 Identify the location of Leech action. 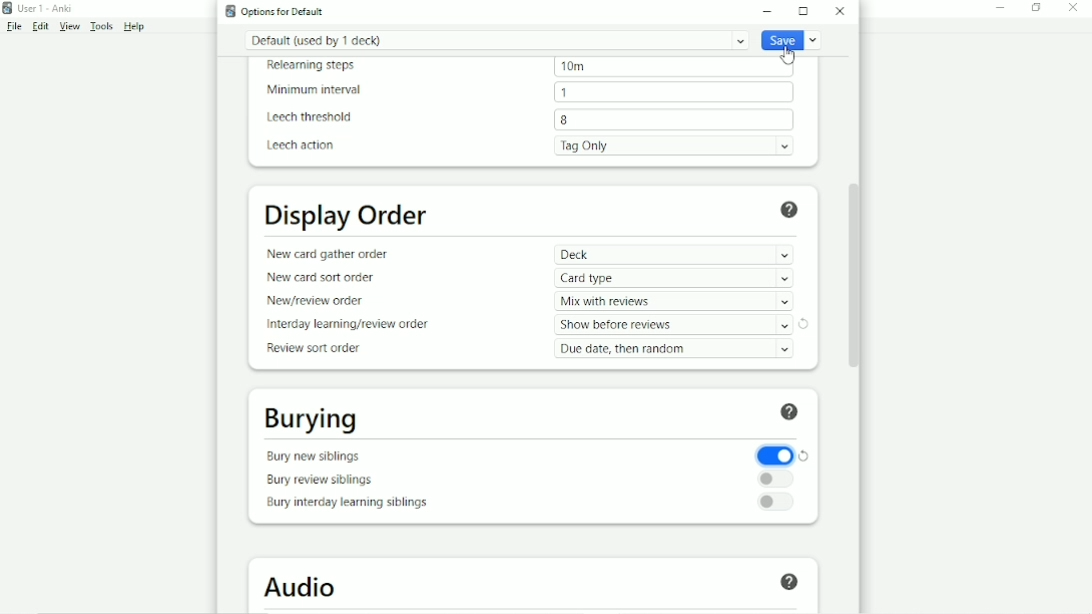
(301, 145).